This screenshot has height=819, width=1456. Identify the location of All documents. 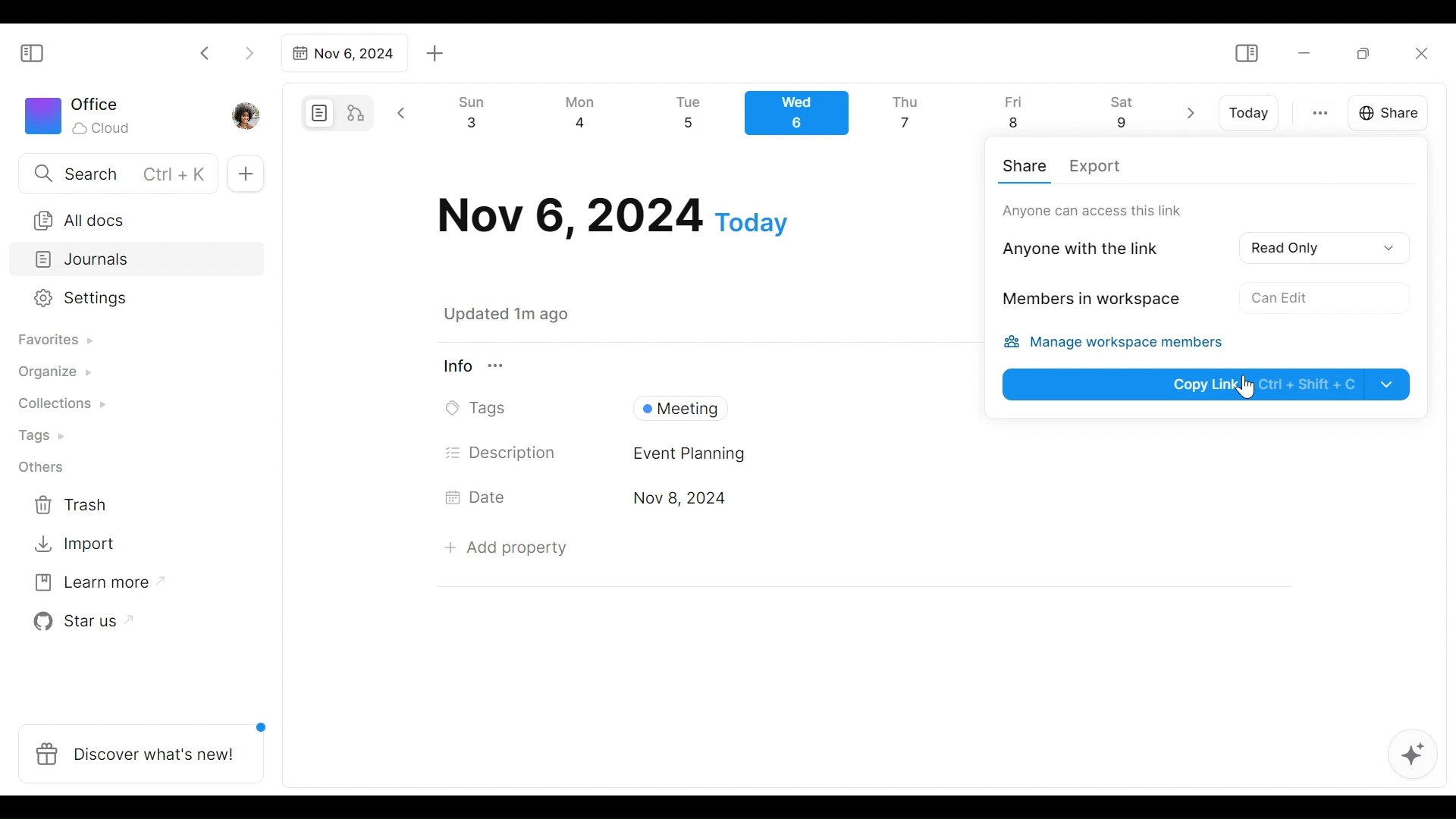
(131, 218).